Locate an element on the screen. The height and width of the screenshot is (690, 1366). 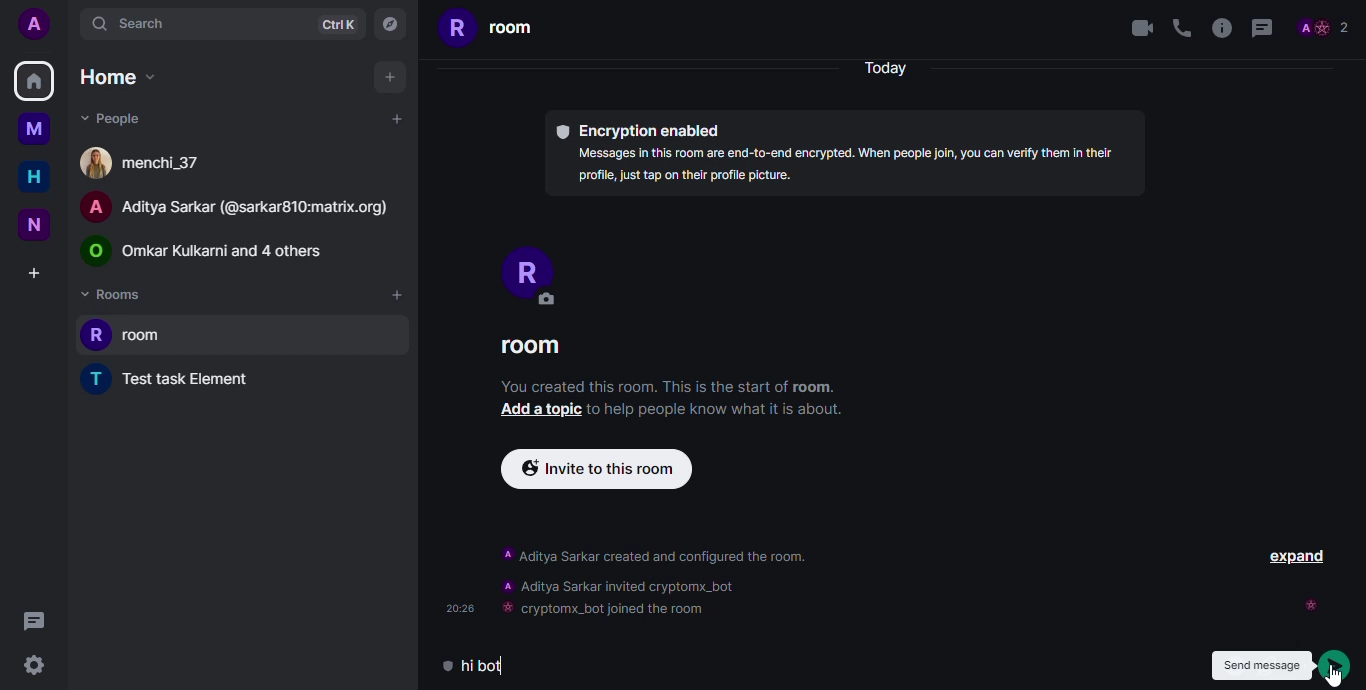
[ & Invite to this room is located at coordinates (596, 469).